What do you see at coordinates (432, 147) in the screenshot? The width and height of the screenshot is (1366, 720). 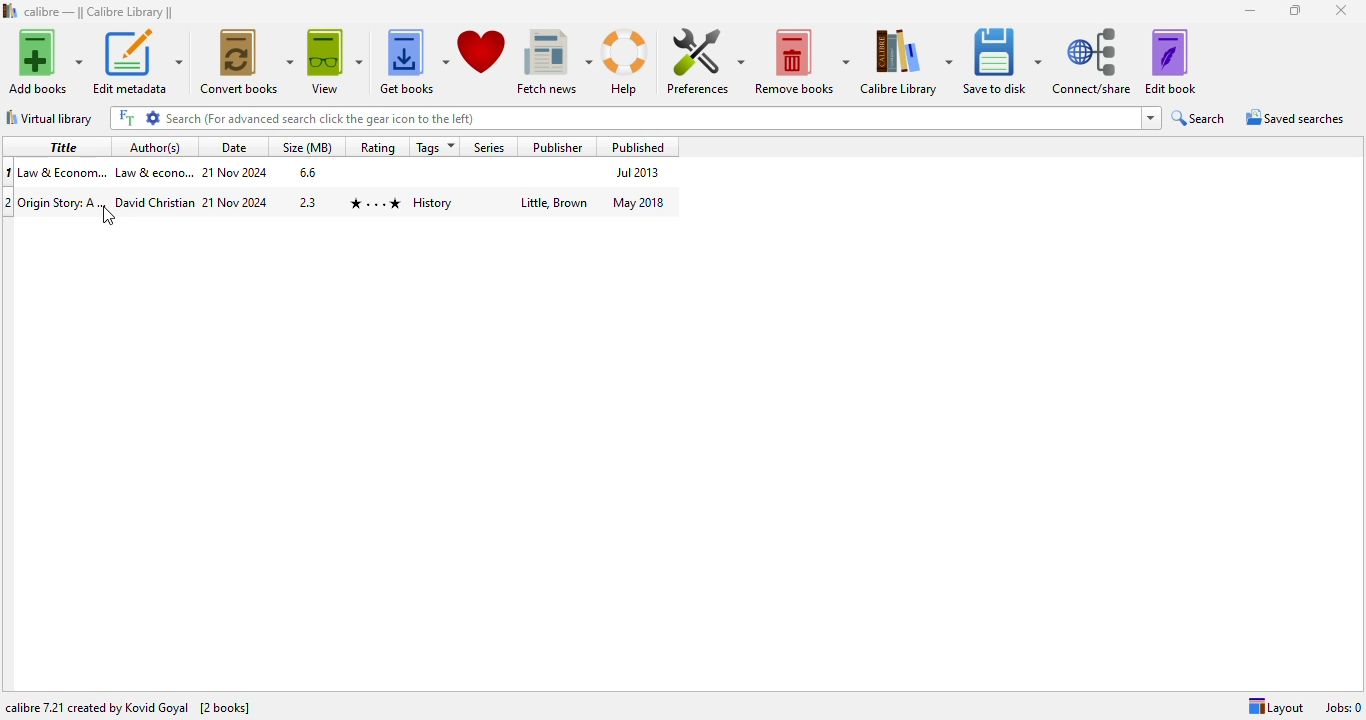 I see `tags` at bounding box center [432, 147].